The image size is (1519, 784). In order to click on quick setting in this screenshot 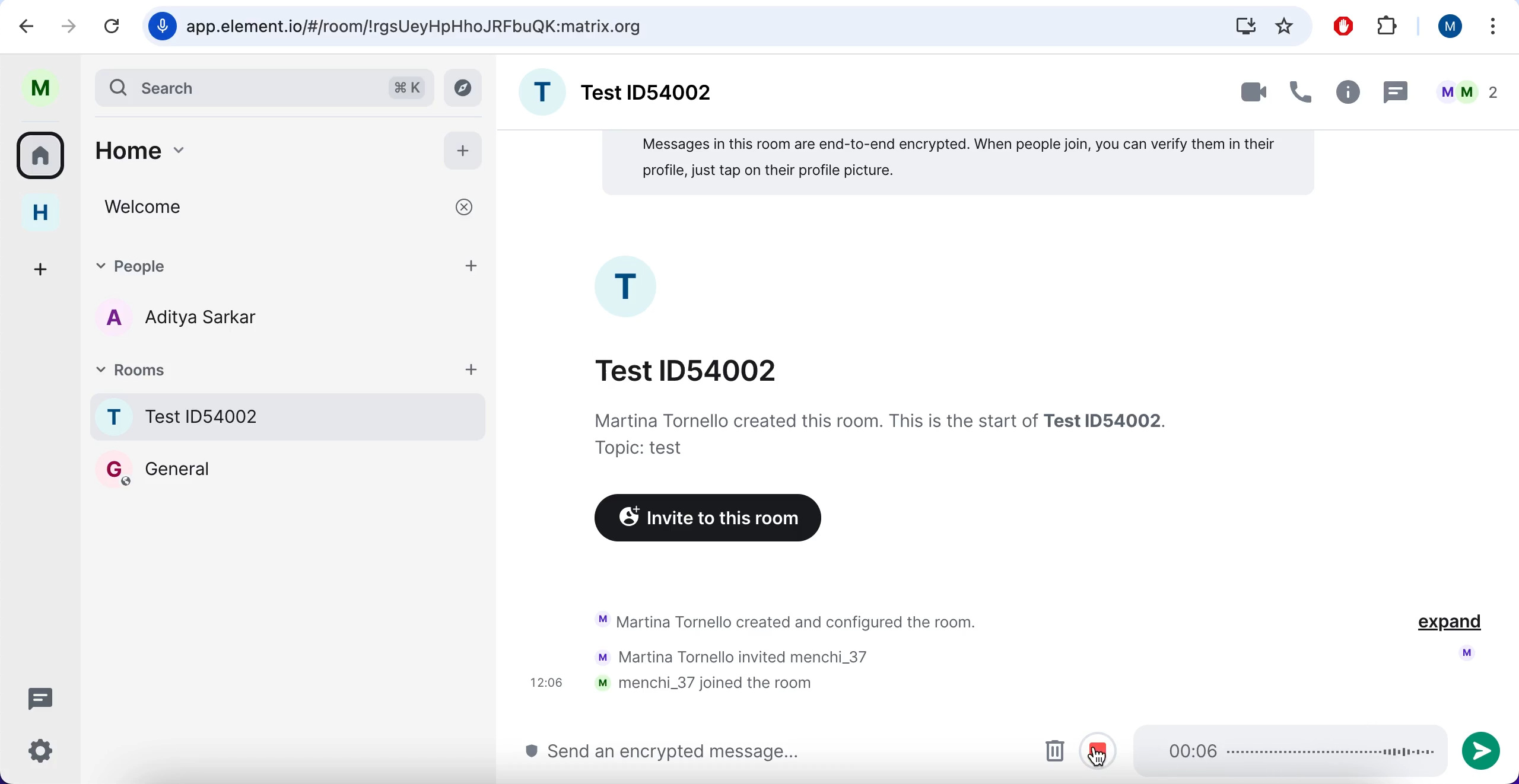, I will do `click(40, 753)`.